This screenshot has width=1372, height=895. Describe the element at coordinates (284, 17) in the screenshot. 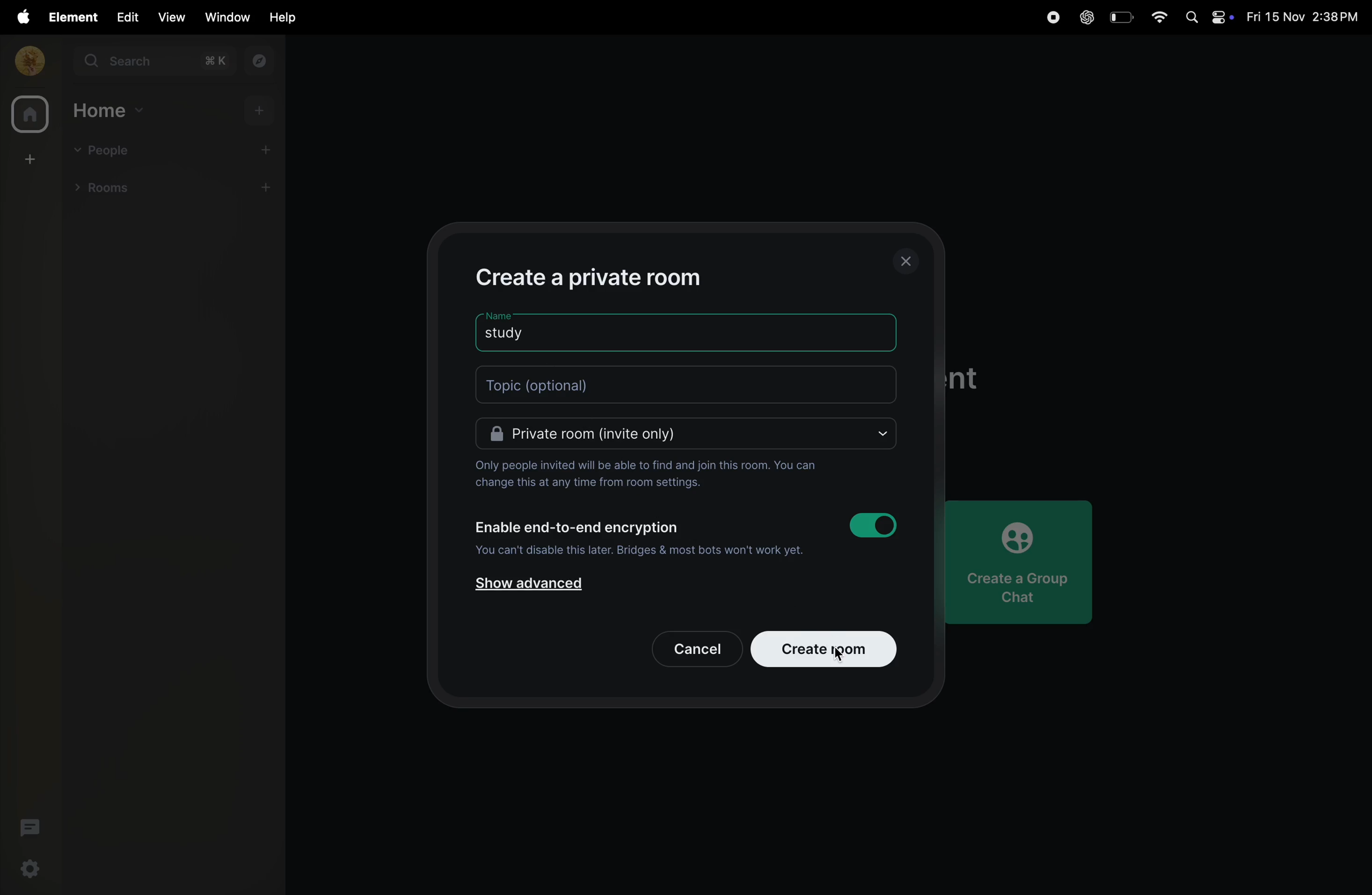

I see `help` at that location.